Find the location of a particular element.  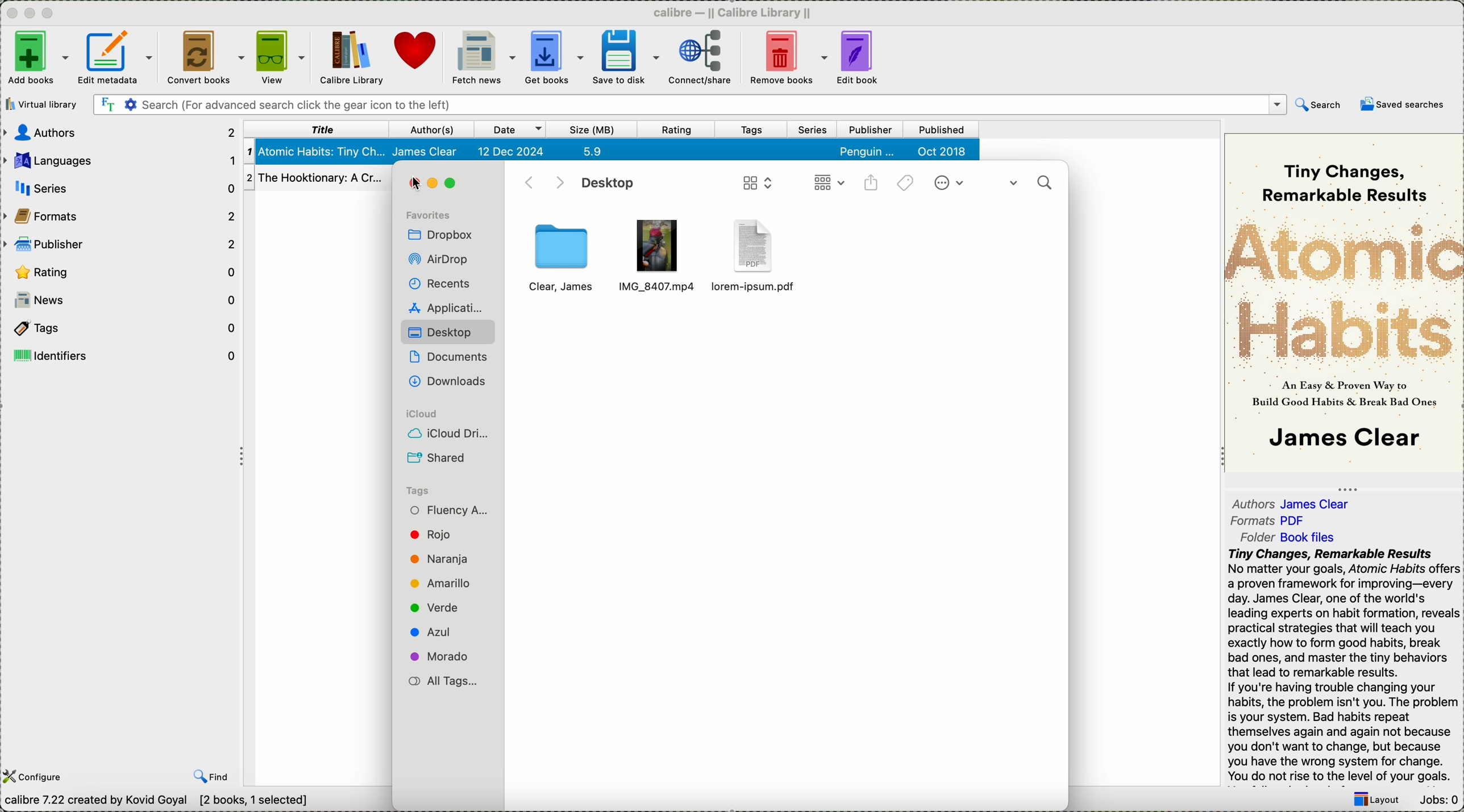

series is located at coordinates (813, 131).